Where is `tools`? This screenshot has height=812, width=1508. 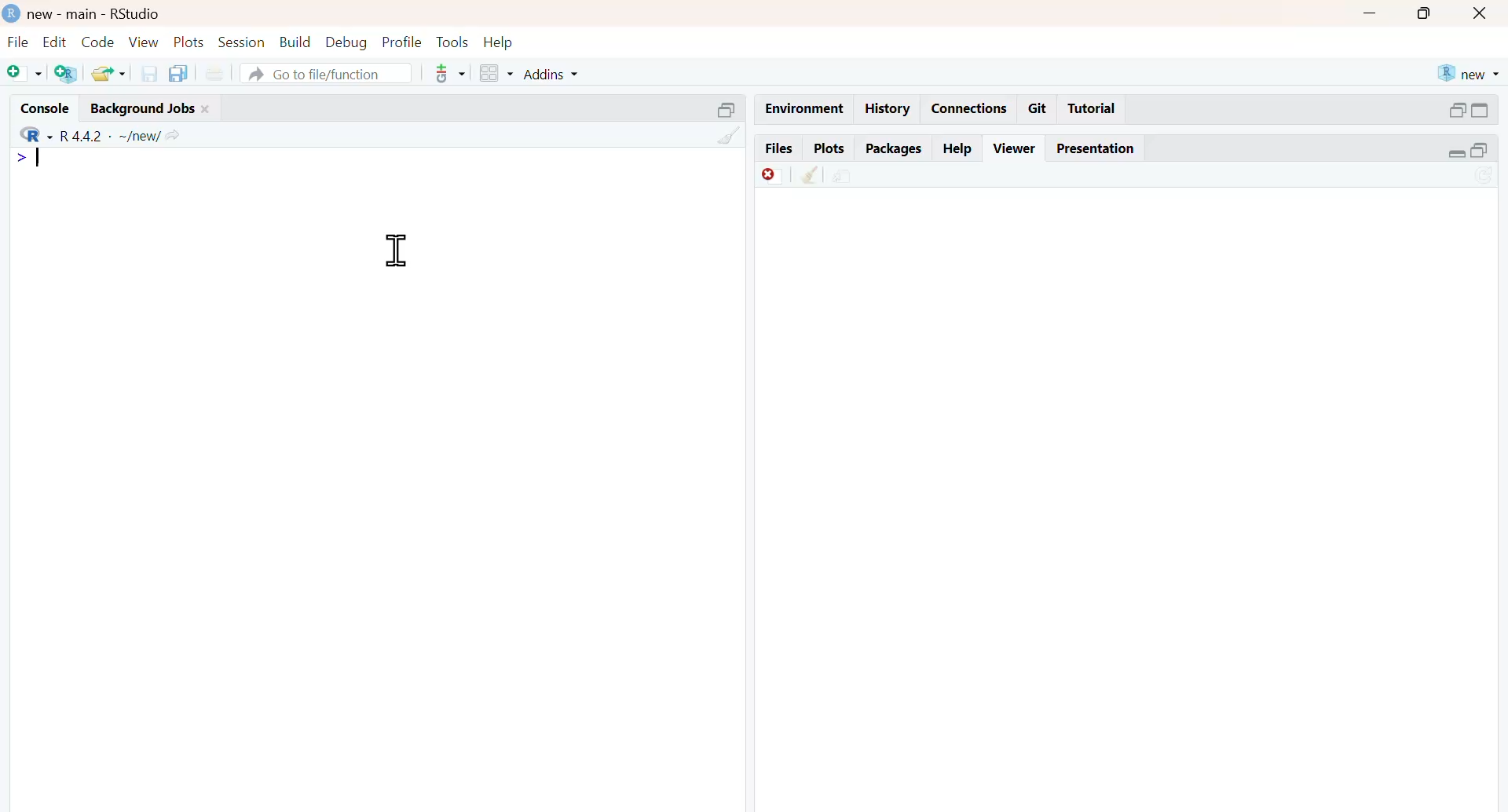
tools is located at coordinates (454, 42).